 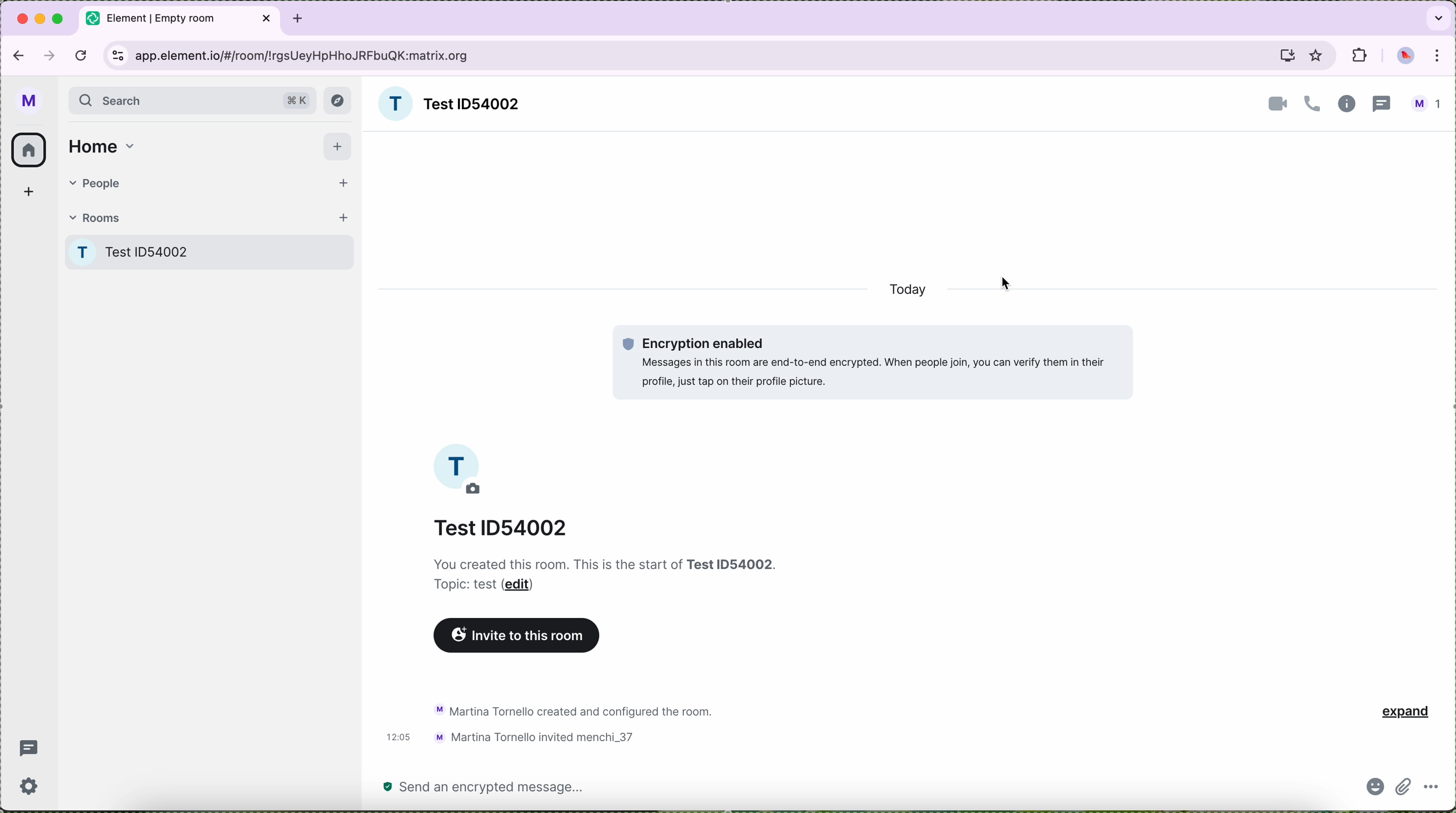 What do you see at coordinates (578, 711) in the screenshot?
I see `activity chat` at bounding box center [578, 711].